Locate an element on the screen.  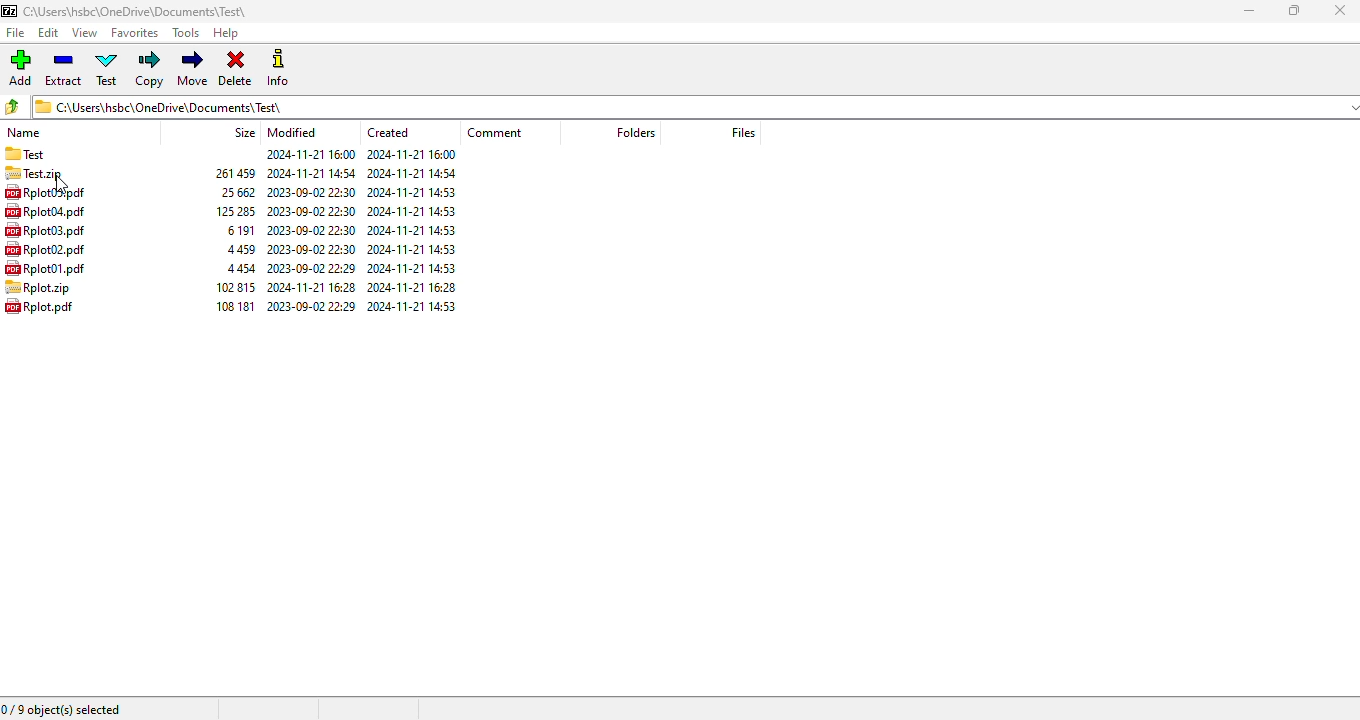
modified date & time is located at coordinates (311, 192).